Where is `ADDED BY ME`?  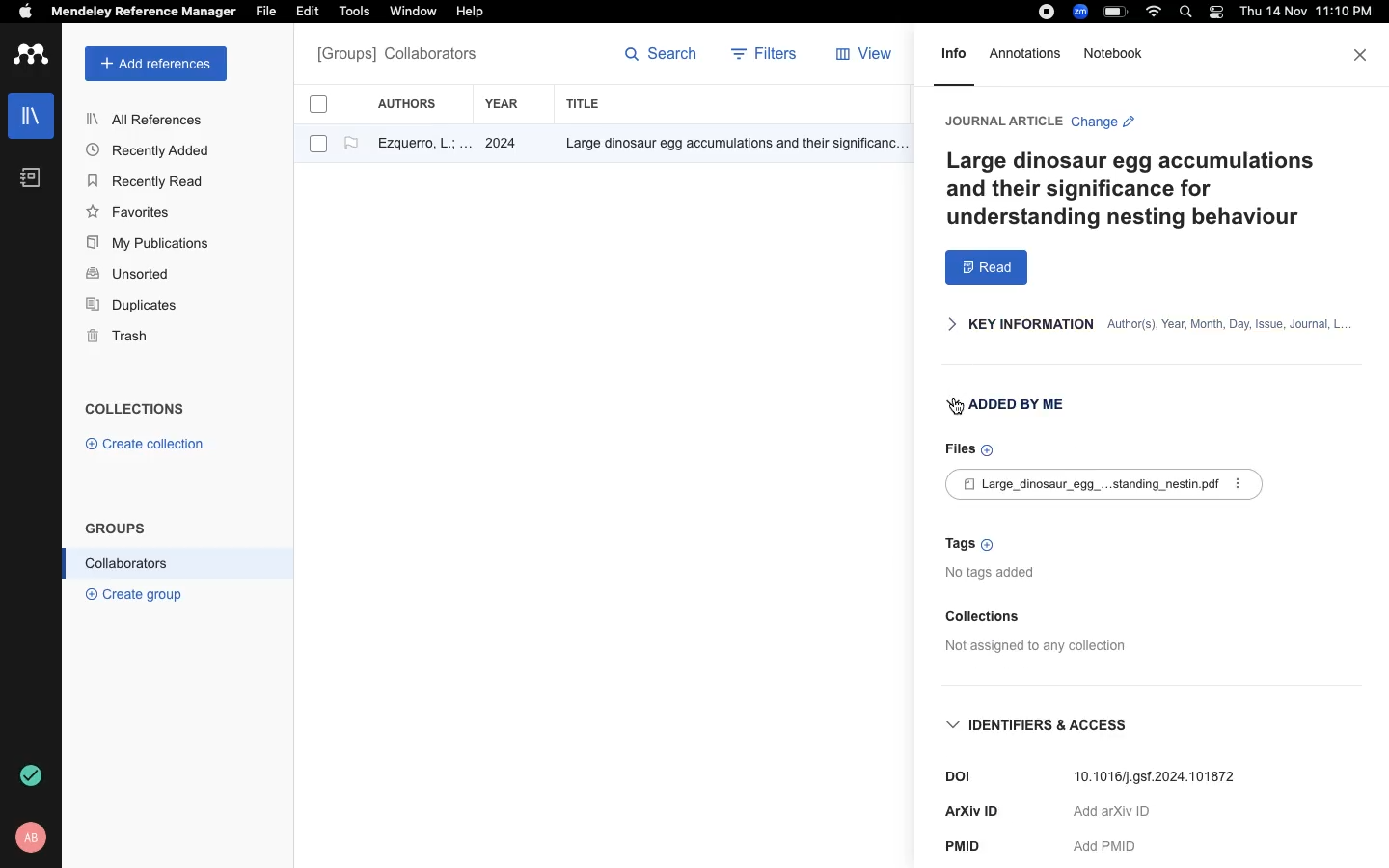
ADDED BY ME is located at coordinates (998, 405).